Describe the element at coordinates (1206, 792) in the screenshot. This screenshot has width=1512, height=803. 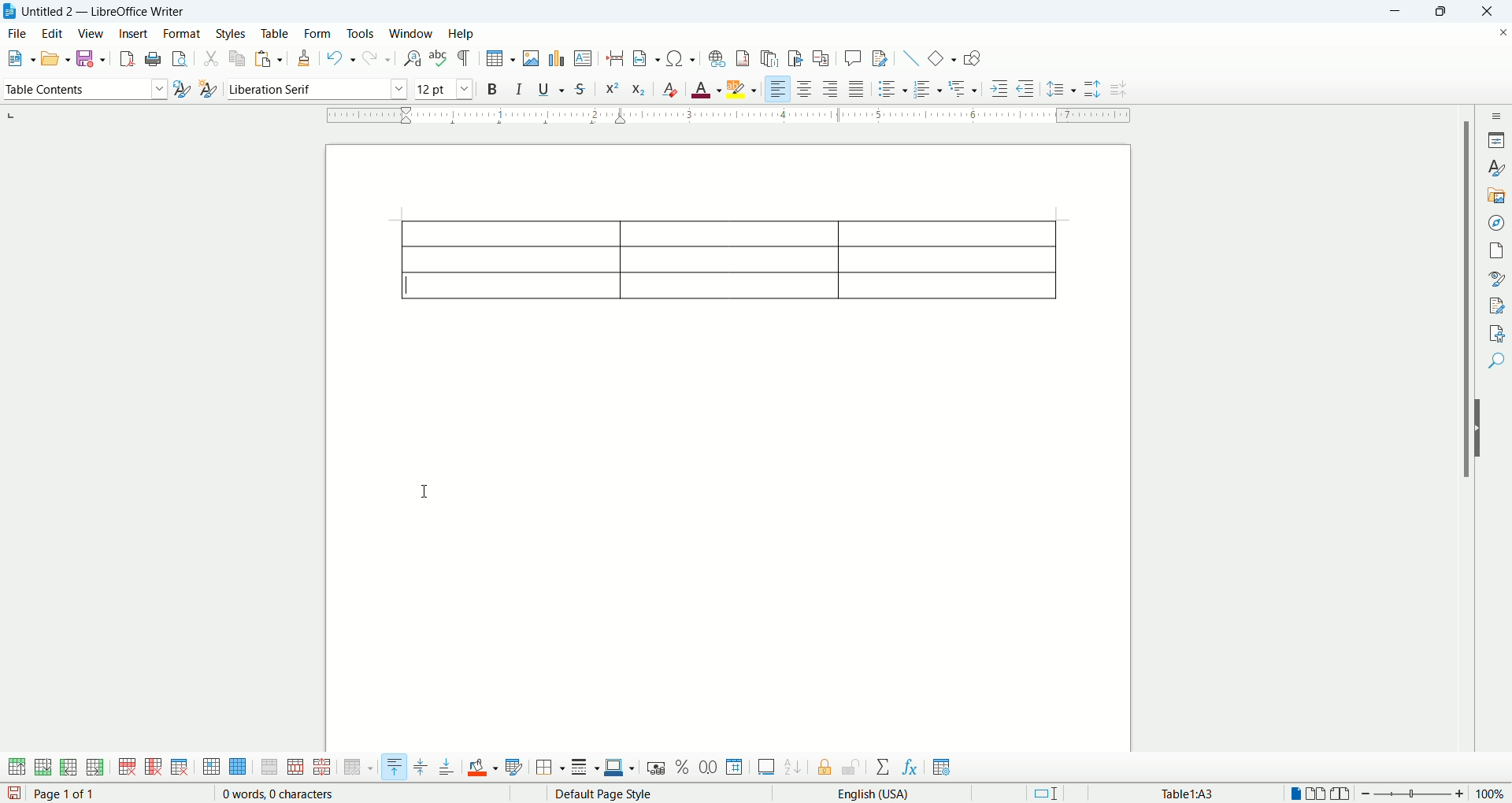
I see `table cell address` at that location.